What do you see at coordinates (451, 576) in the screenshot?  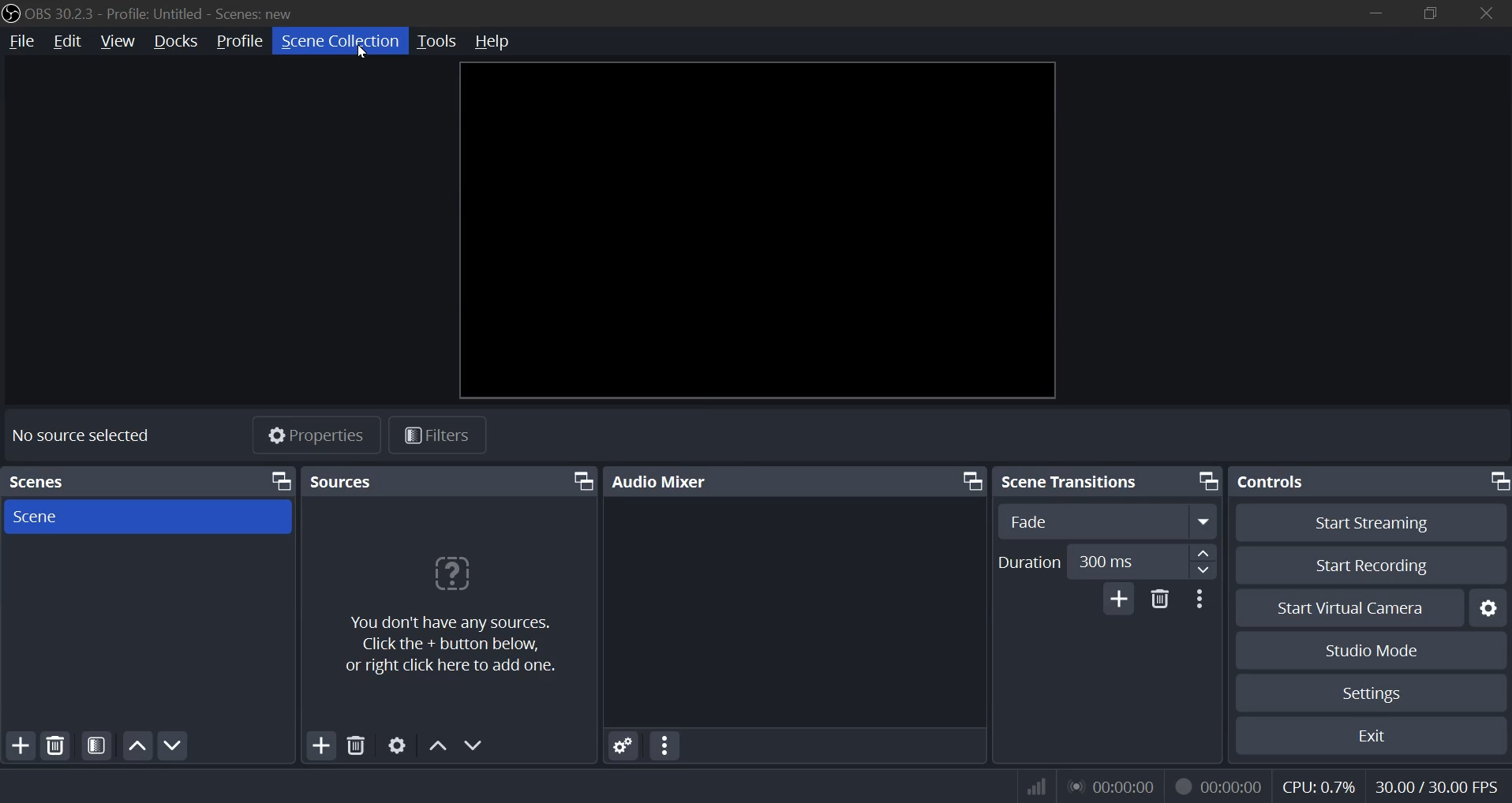 I see `question mark icon` at bounding box center [451, 576].